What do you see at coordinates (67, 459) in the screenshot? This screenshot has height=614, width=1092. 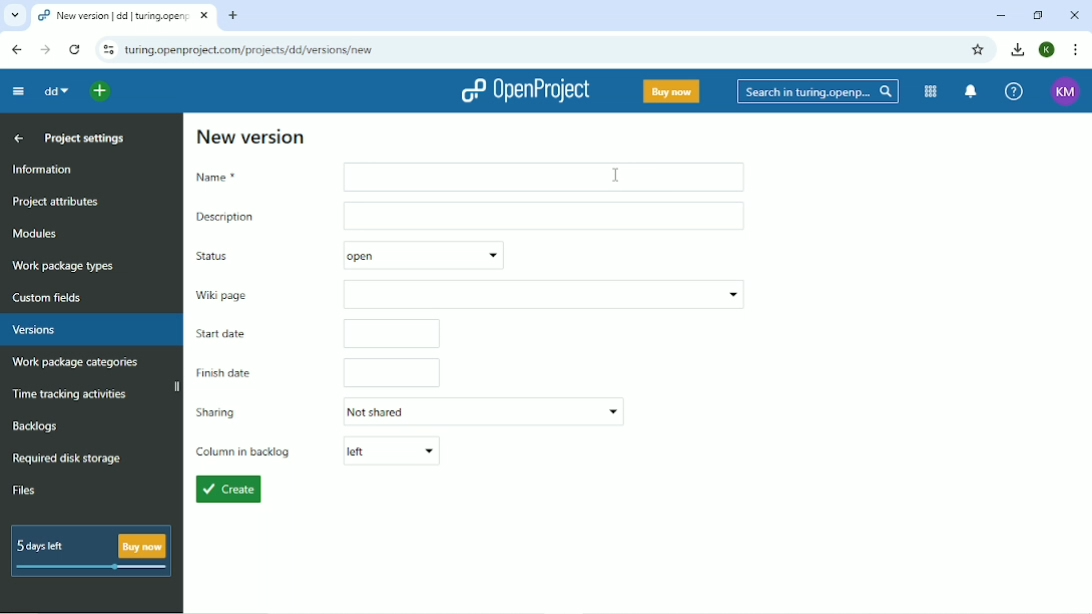 I see `Required disk storage` at bounding box center [67, 459].